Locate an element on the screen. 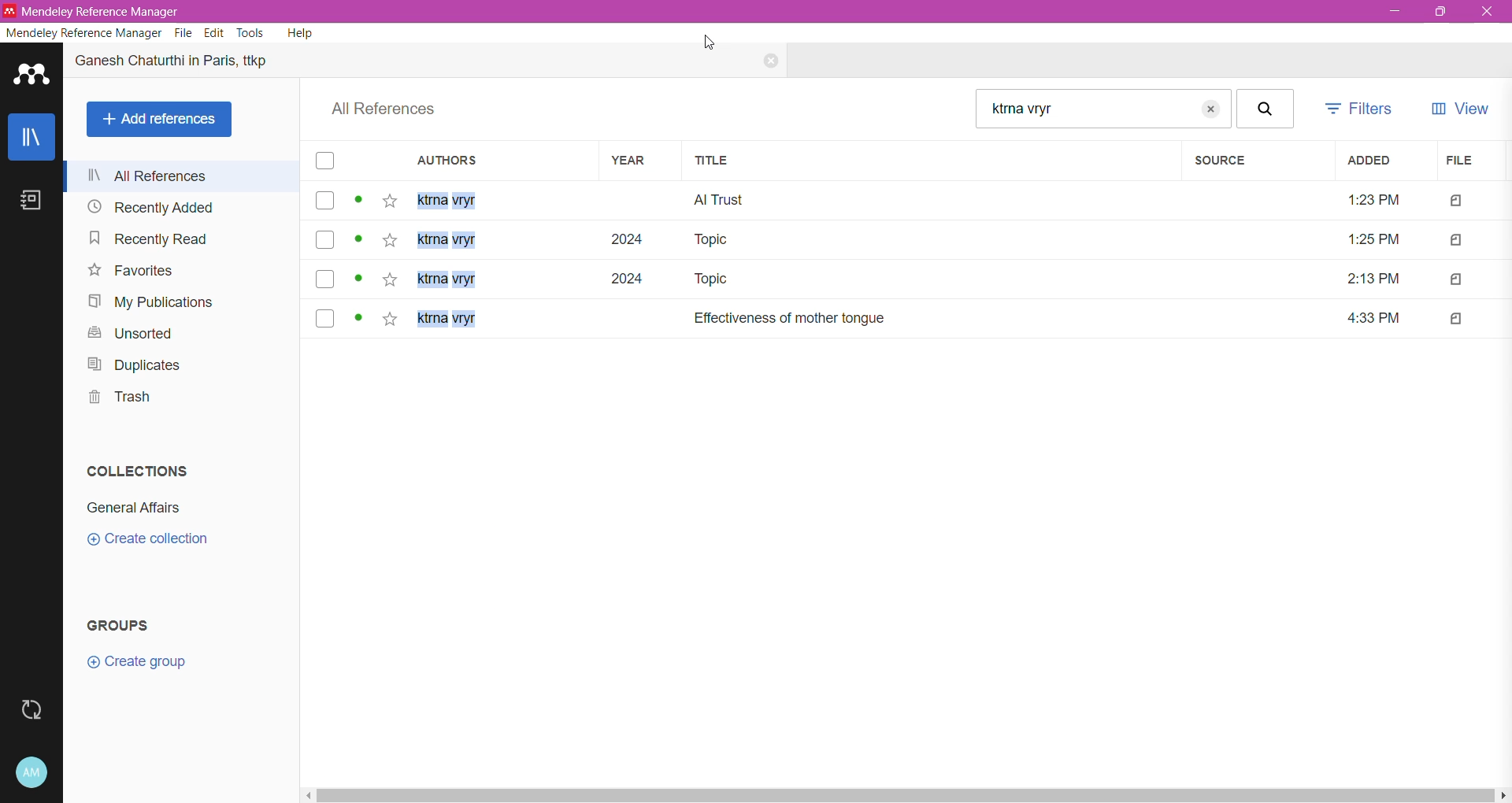 This screenshot has width=1512, height=803. ¢  kirna vryr 2024 Topic 2:13PM is located at coordinates (910, 279).